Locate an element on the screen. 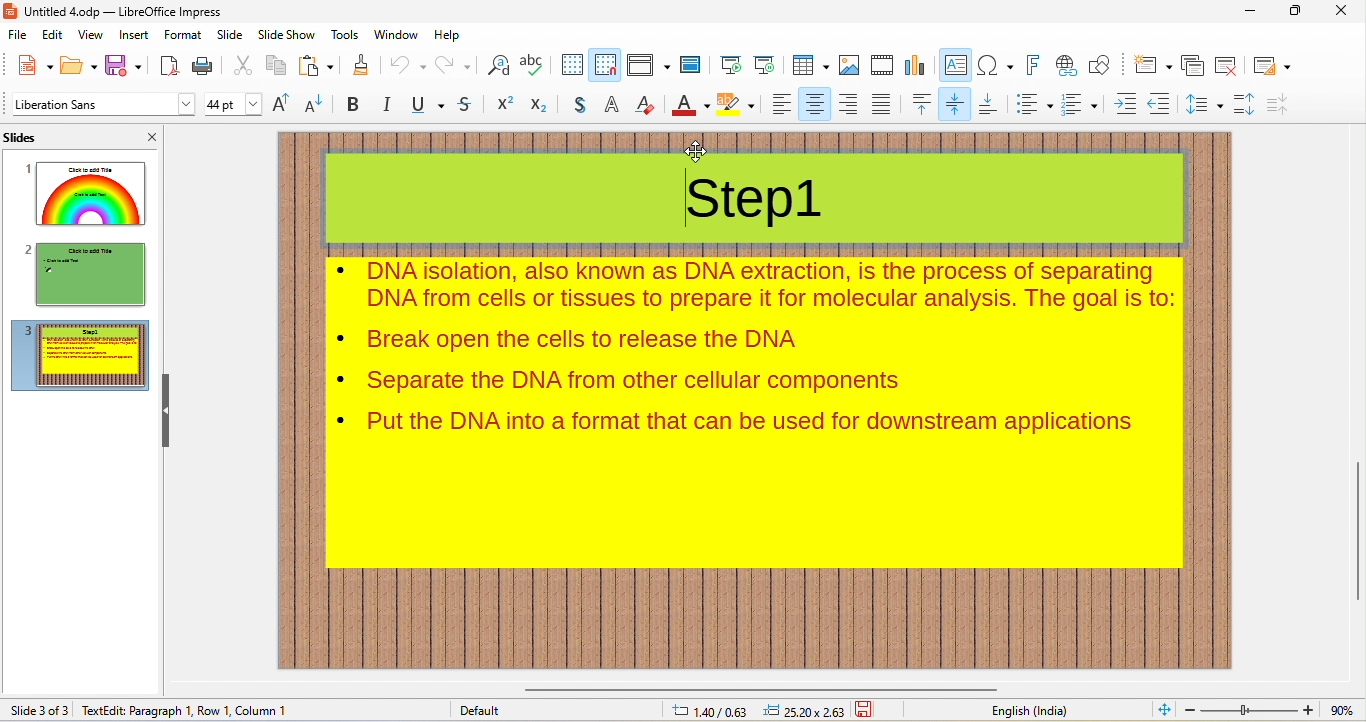 Image resolution: width=1366 pixels, height=722 pixels. export pdf is located at coordinates (169, 67).